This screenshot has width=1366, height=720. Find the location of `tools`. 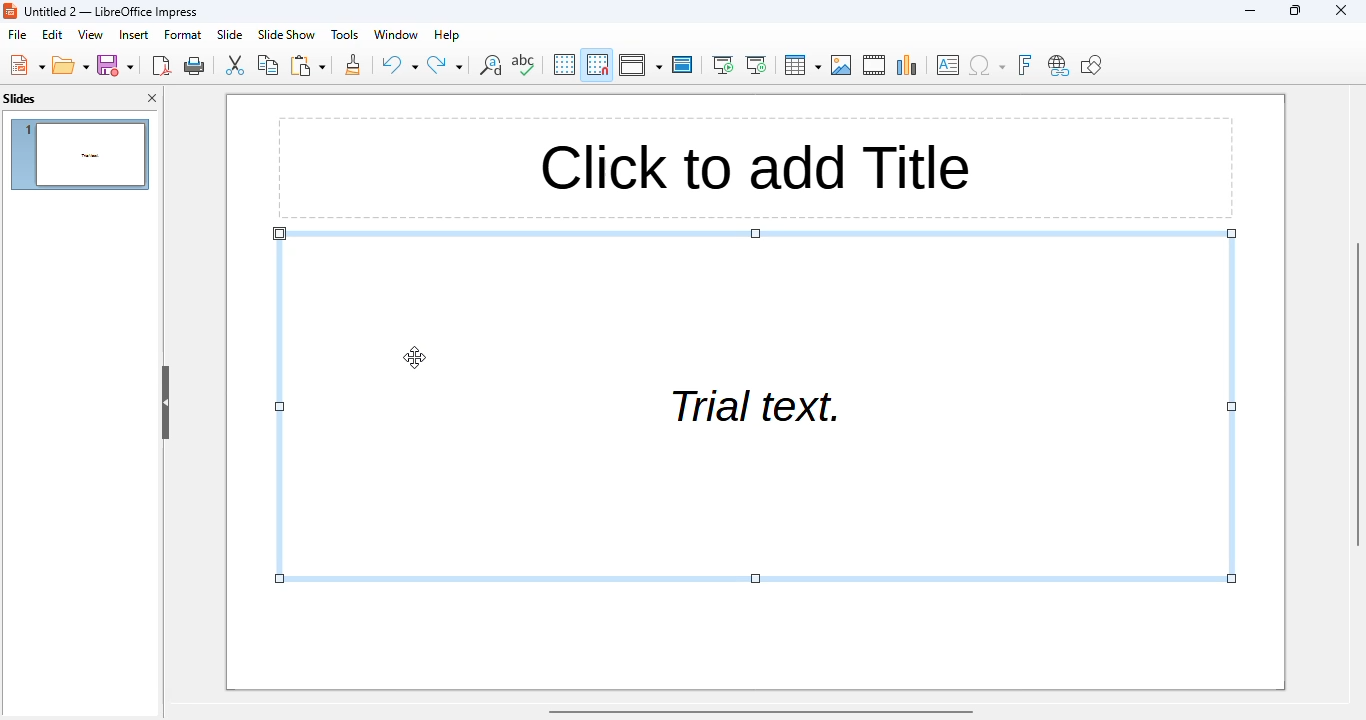

tools is located at coordinates (343, 34).